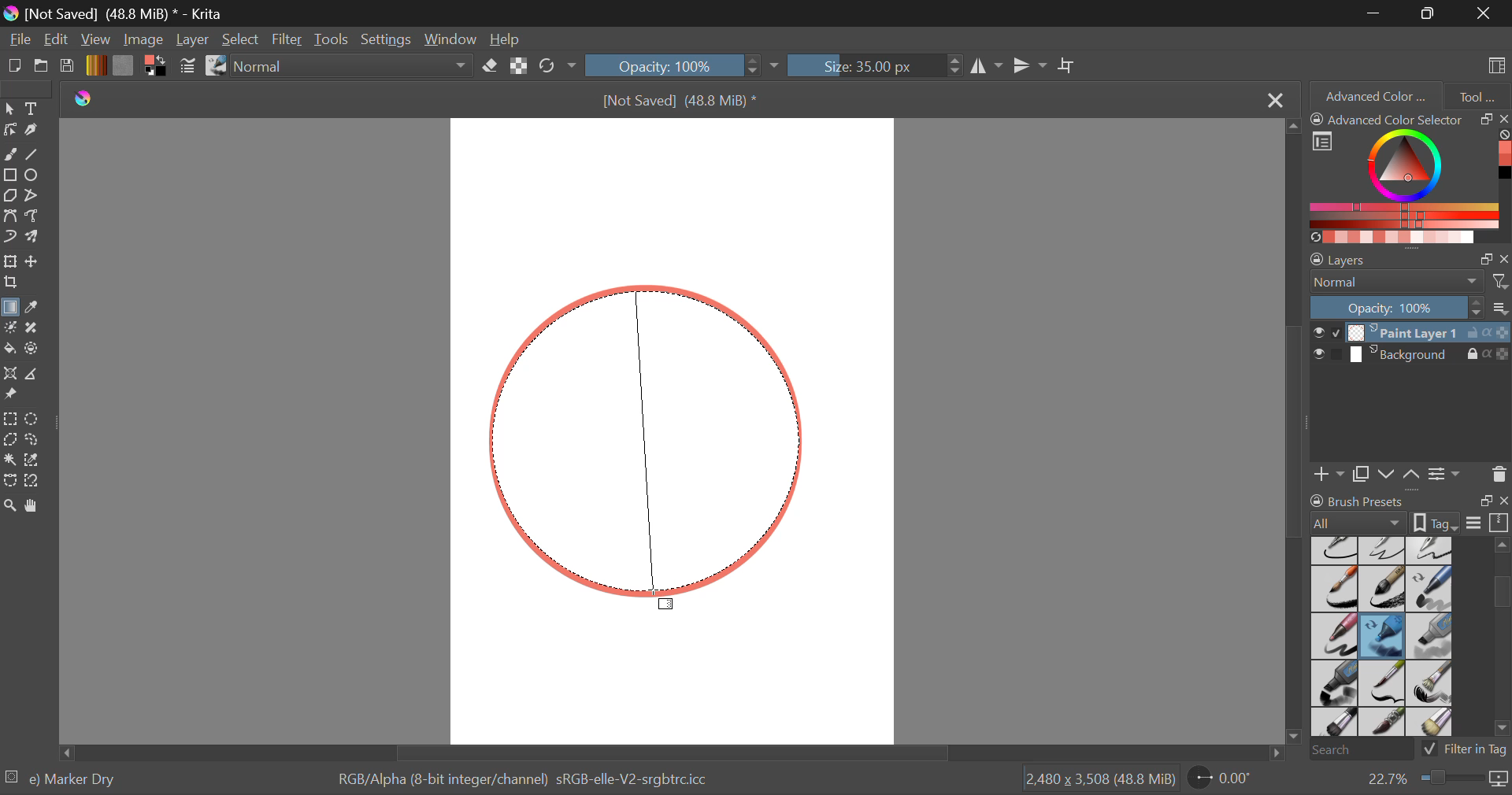  What do you see at coordinates (1431, 13) in the screenshot?
I see `Minimize` at bounding box center [1431, 13].